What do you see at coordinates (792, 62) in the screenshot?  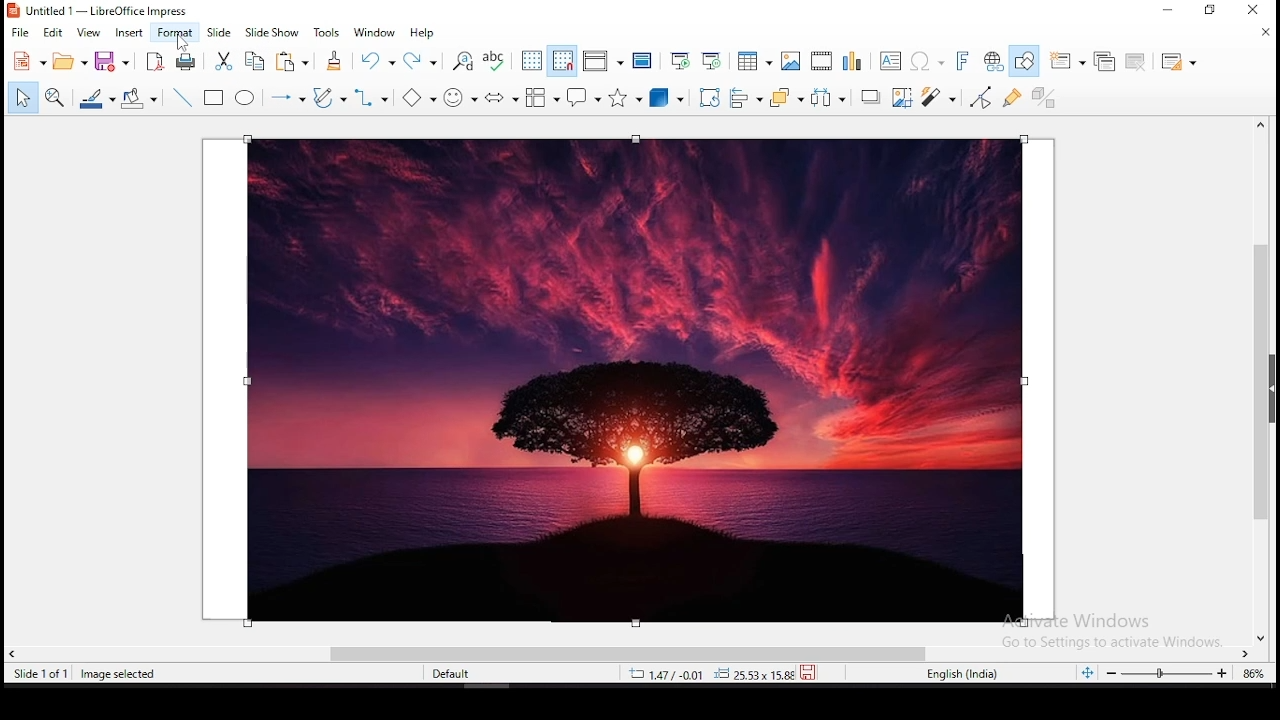 I see `insert image` at bounding box center [792, 62].